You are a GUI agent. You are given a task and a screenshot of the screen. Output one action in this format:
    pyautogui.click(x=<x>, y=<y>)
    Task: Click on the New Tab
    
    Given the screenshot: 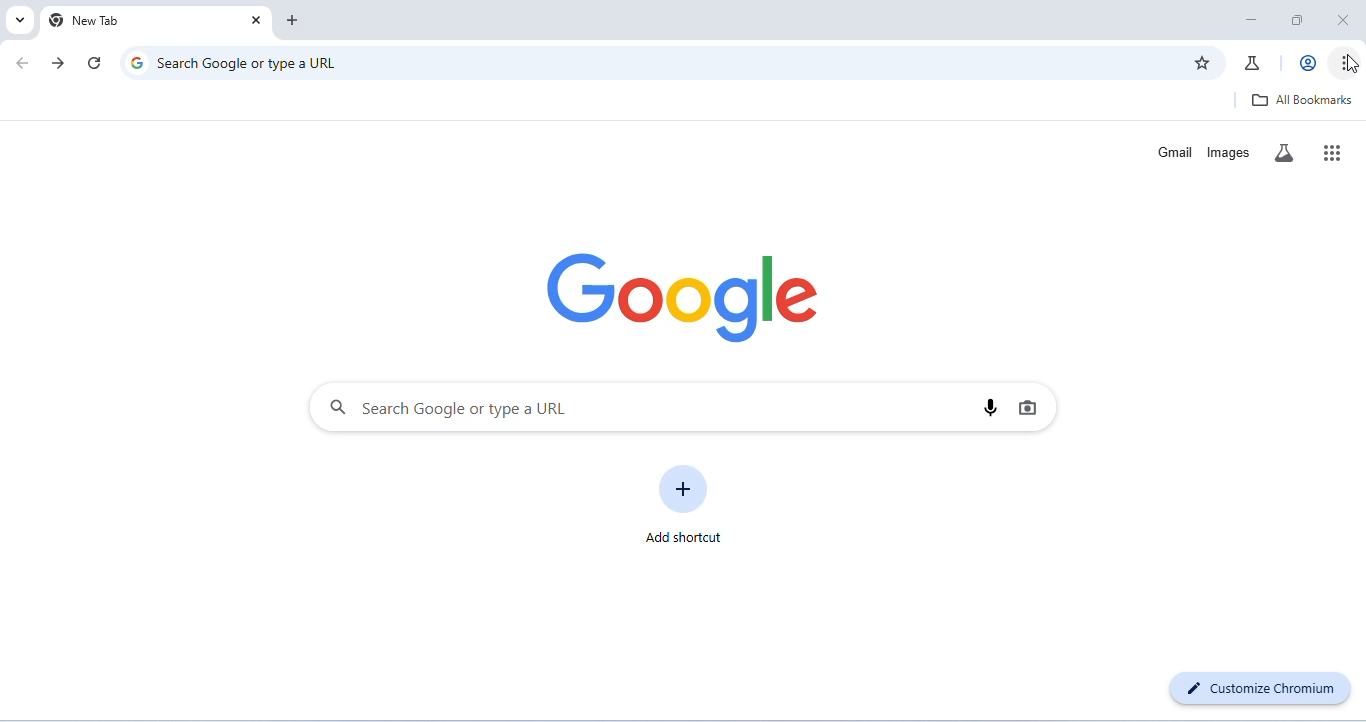 What is the action you would take?
    pyautogui.click(x=131, y=22)
    